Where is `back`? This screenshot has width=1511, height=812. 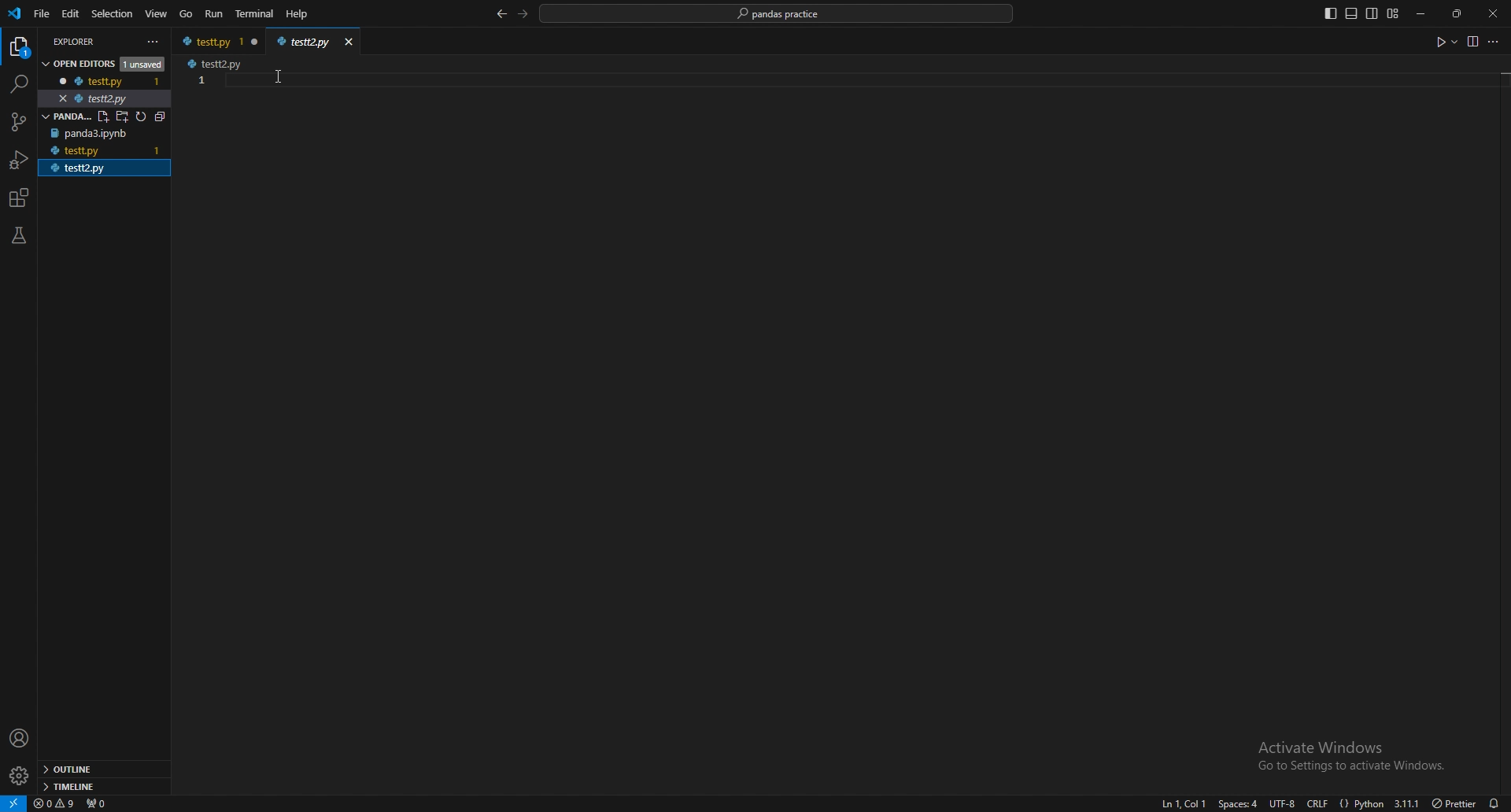 back is located at coordinates (501, 15).